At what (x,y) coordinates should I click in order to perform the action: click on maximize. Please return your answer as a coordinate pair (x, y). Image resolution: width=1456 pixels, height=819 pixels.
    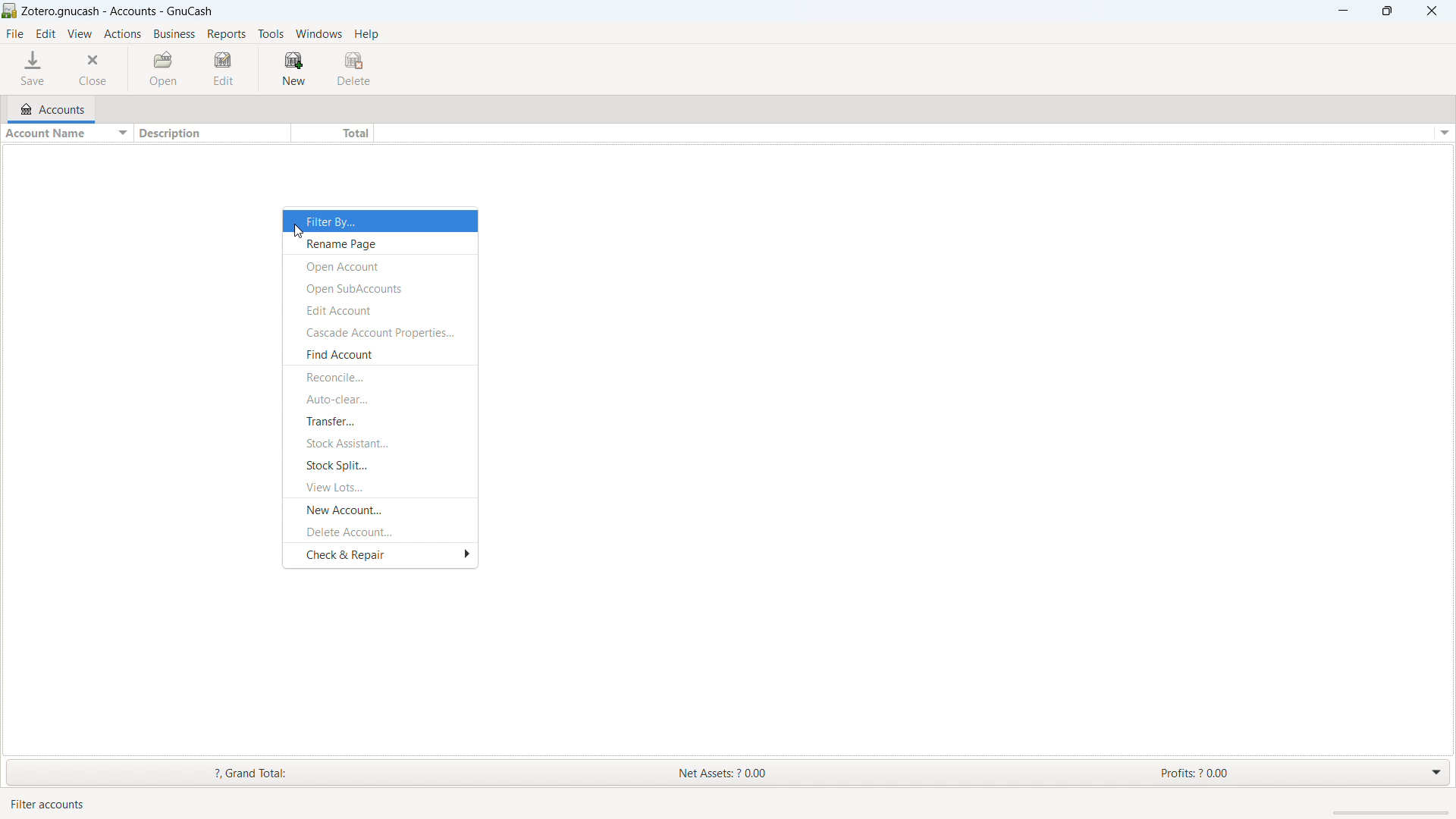
    Looking at the image, I should click on (1387, 11).